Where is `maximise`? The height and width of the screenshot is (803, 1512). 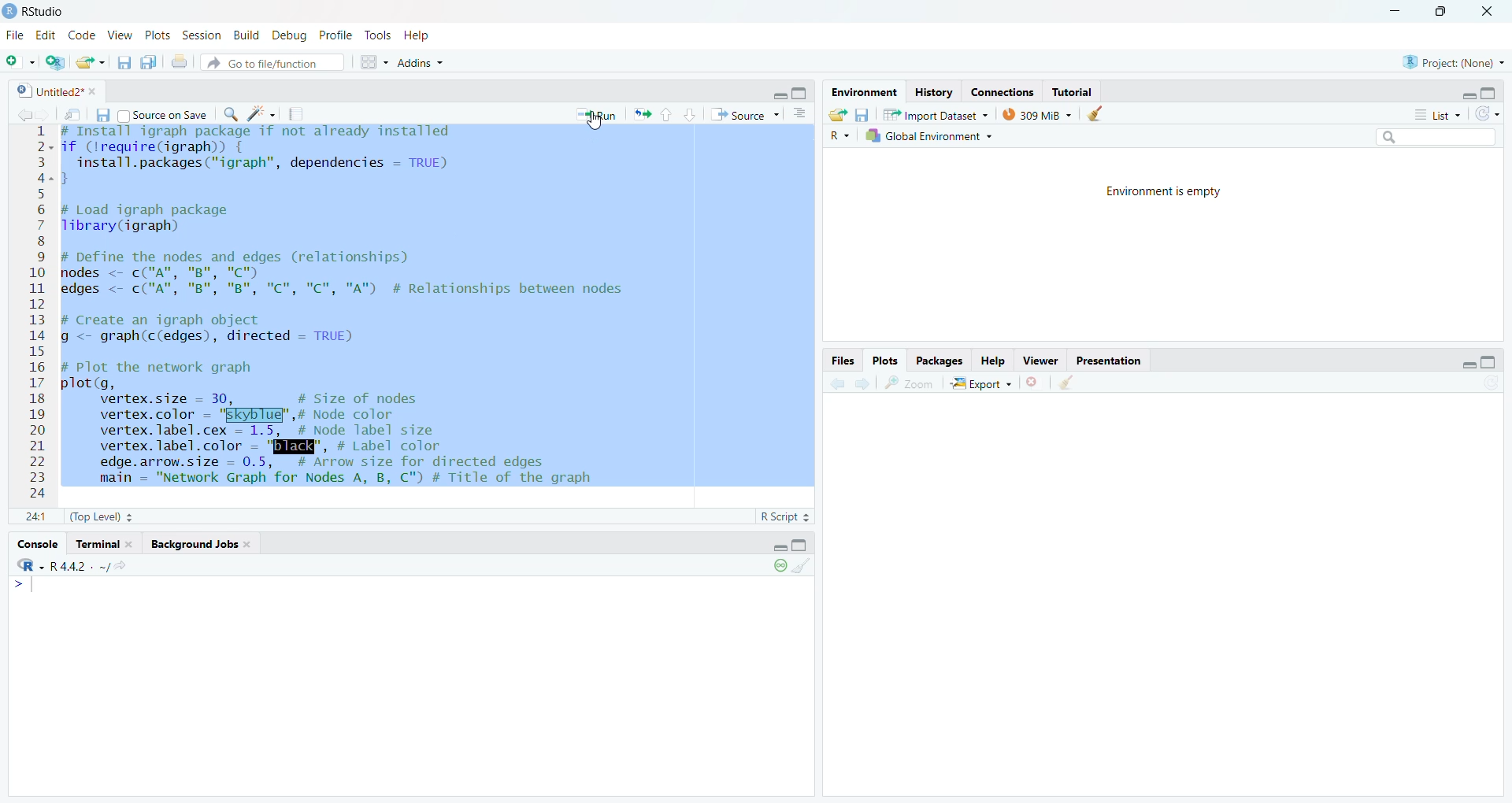
maximise is located at coordinates (1495, 92).